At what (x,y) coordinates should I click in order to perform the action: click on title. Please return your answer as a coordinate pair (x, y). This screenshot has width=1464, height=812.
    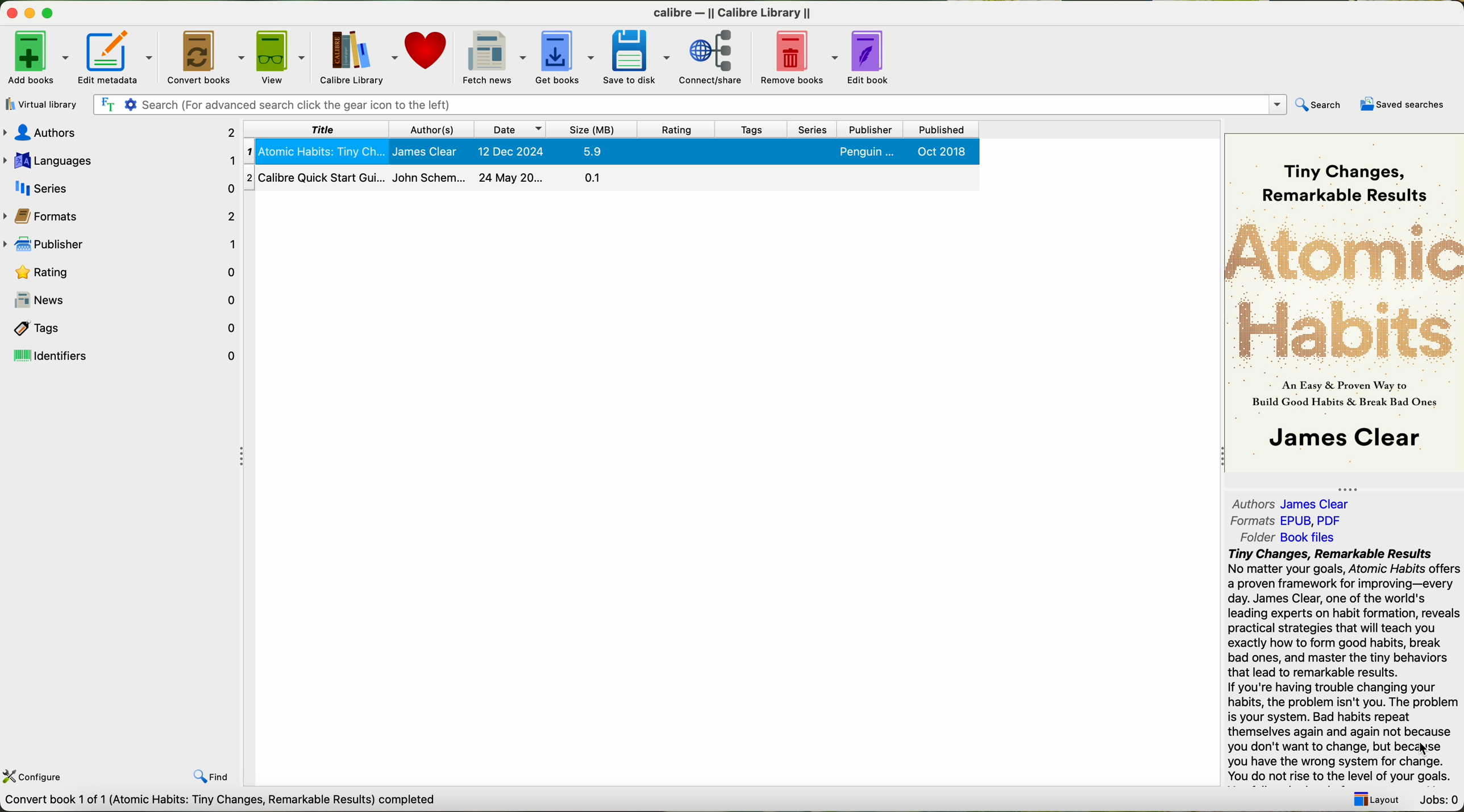
    Looking at the image, I should click on (318, 130).